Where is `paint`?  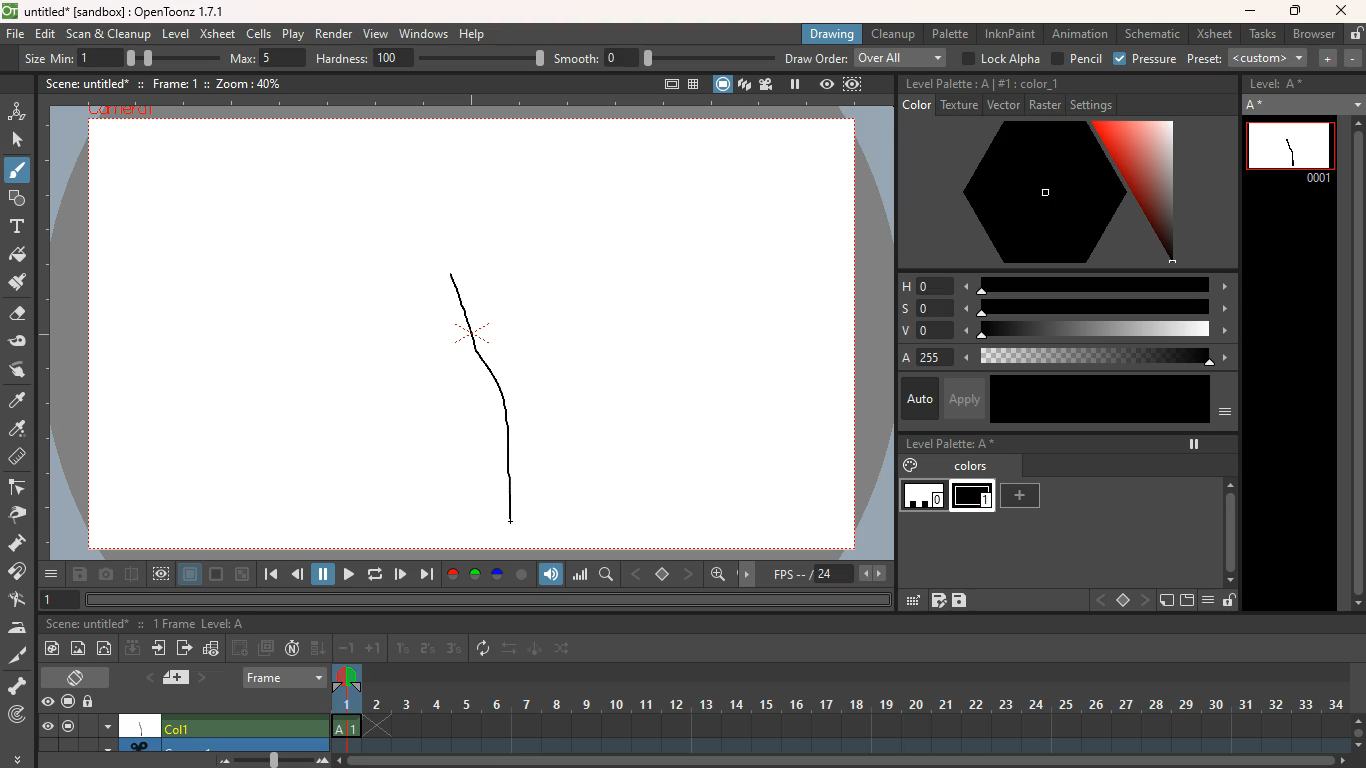 paint is located at coordinates (908, 466).